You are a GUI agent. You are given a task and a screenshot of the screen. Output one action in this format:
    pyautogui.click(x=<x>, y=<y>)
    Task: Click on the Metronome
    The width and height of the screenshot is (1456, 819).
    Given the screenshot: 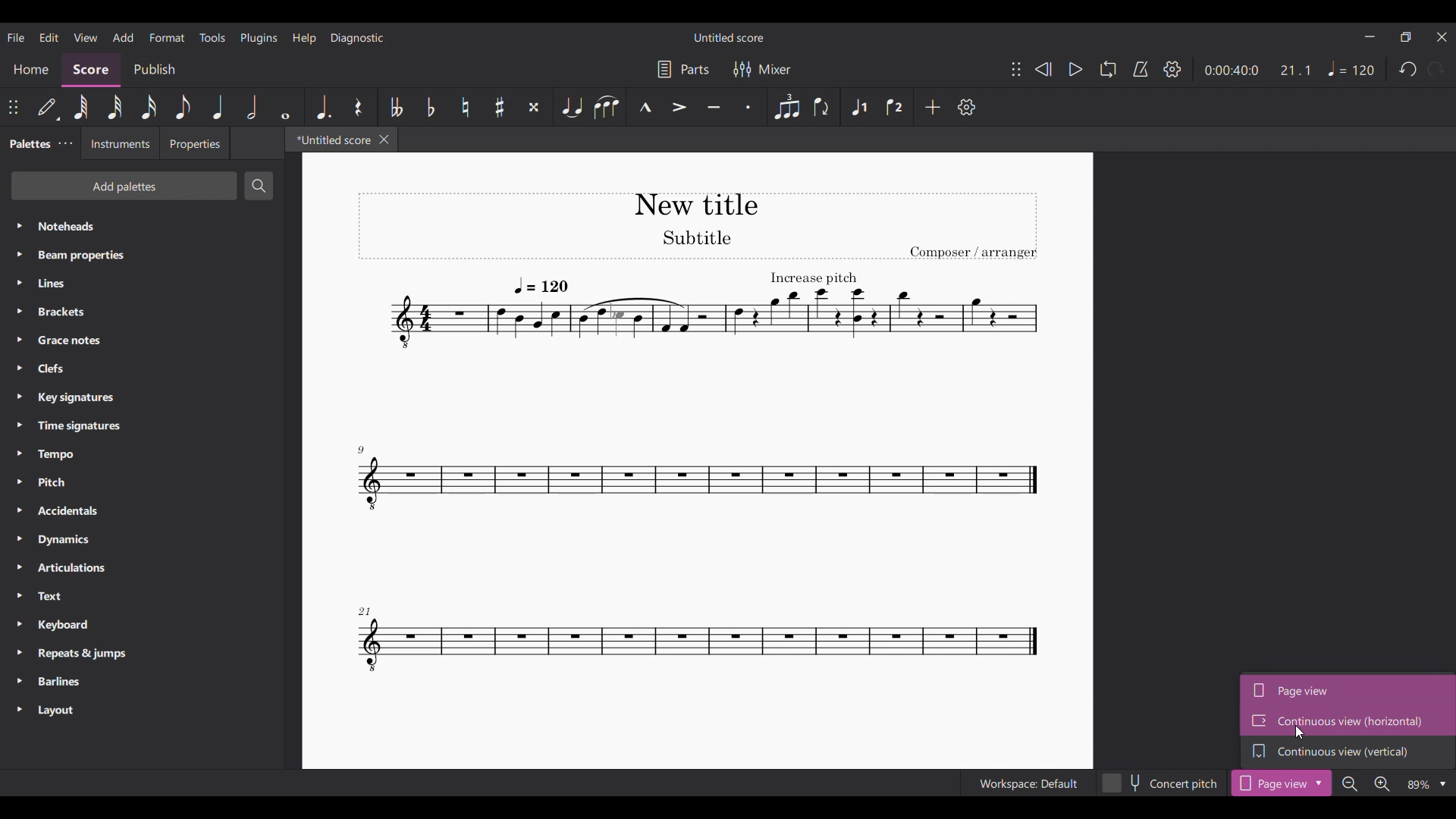 What is the action you would take?
    pyautogui.click(x=1141, y=69)
    